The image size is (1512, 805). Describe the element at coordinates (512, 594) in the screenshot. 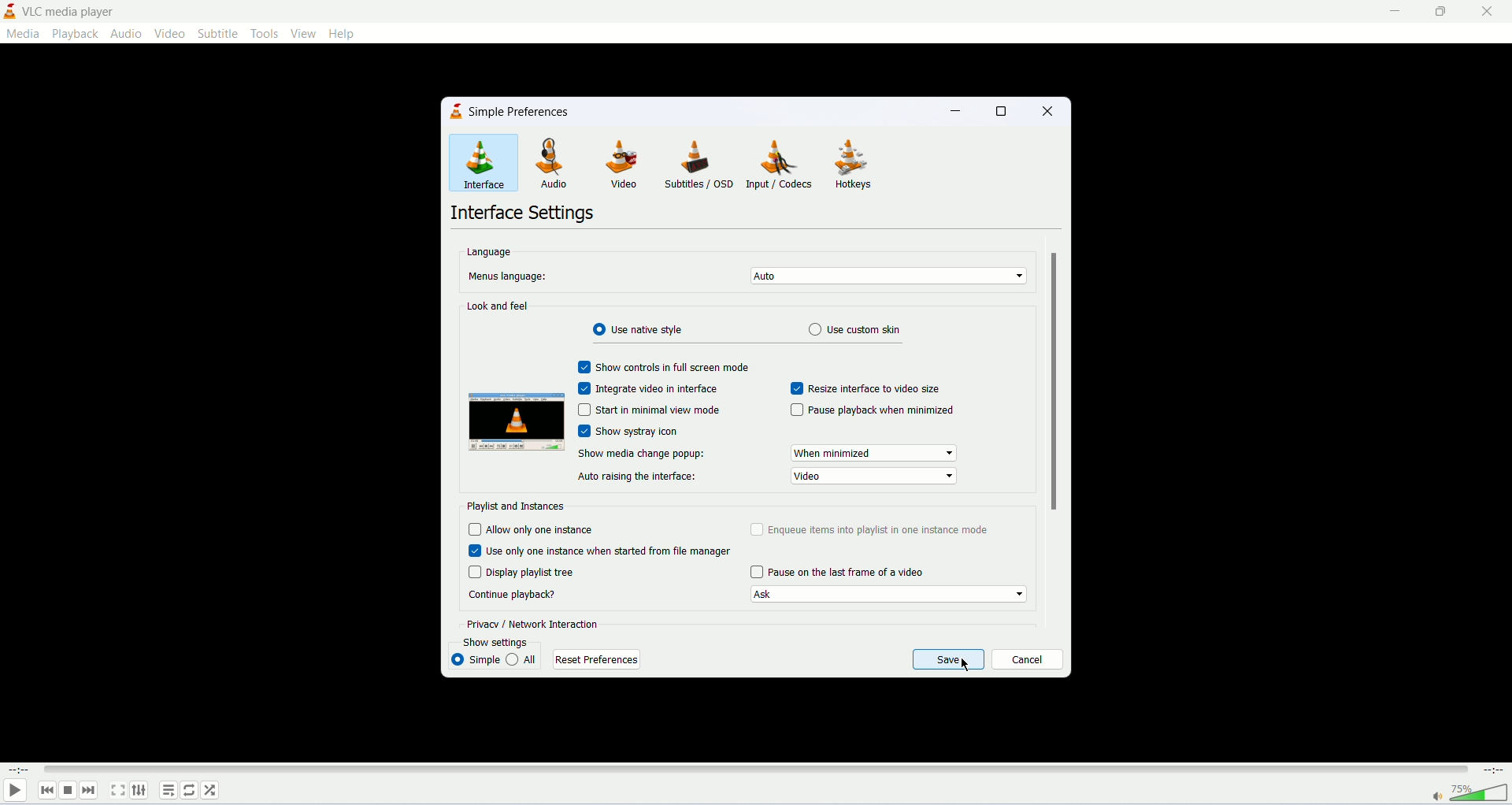

I see `continue playback?` at that location.